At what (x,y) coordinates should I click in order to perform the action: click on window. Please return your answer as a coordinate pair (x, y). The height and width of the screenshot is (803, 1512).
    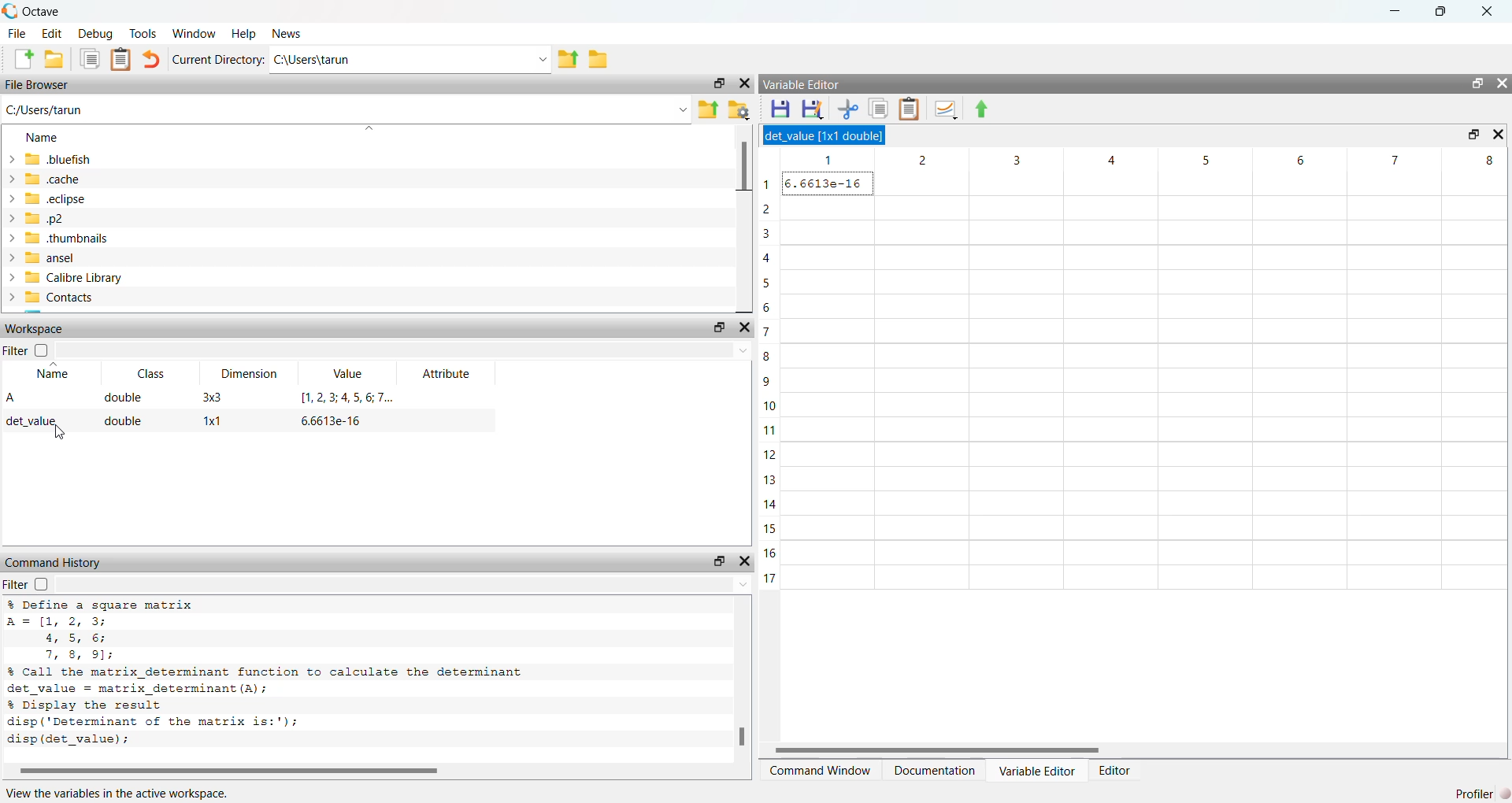
    Looking at the image, I should click on (195, 32).